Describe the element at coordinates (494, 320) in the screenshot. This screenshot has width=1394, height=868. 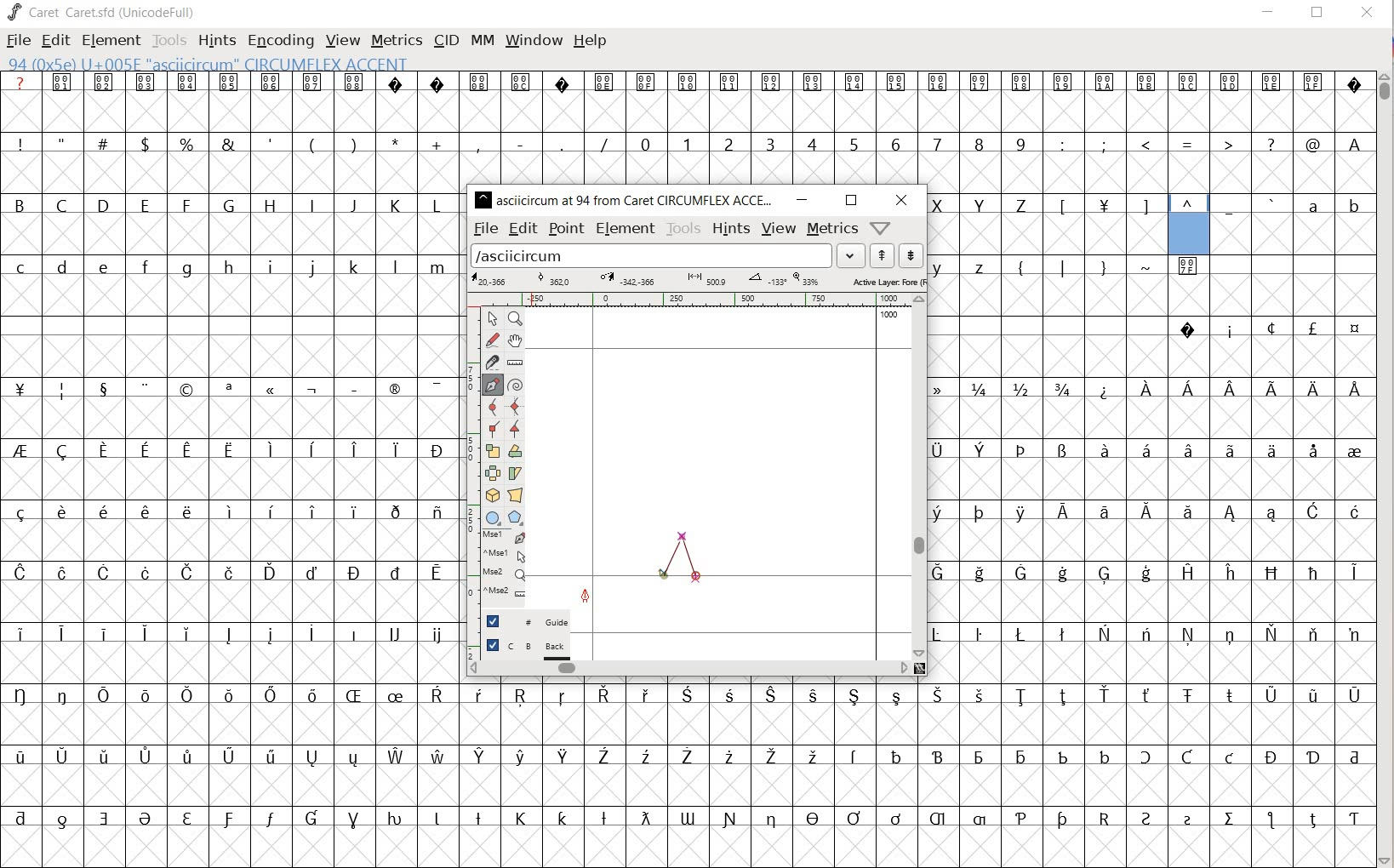
I see `POINTER` at that location.